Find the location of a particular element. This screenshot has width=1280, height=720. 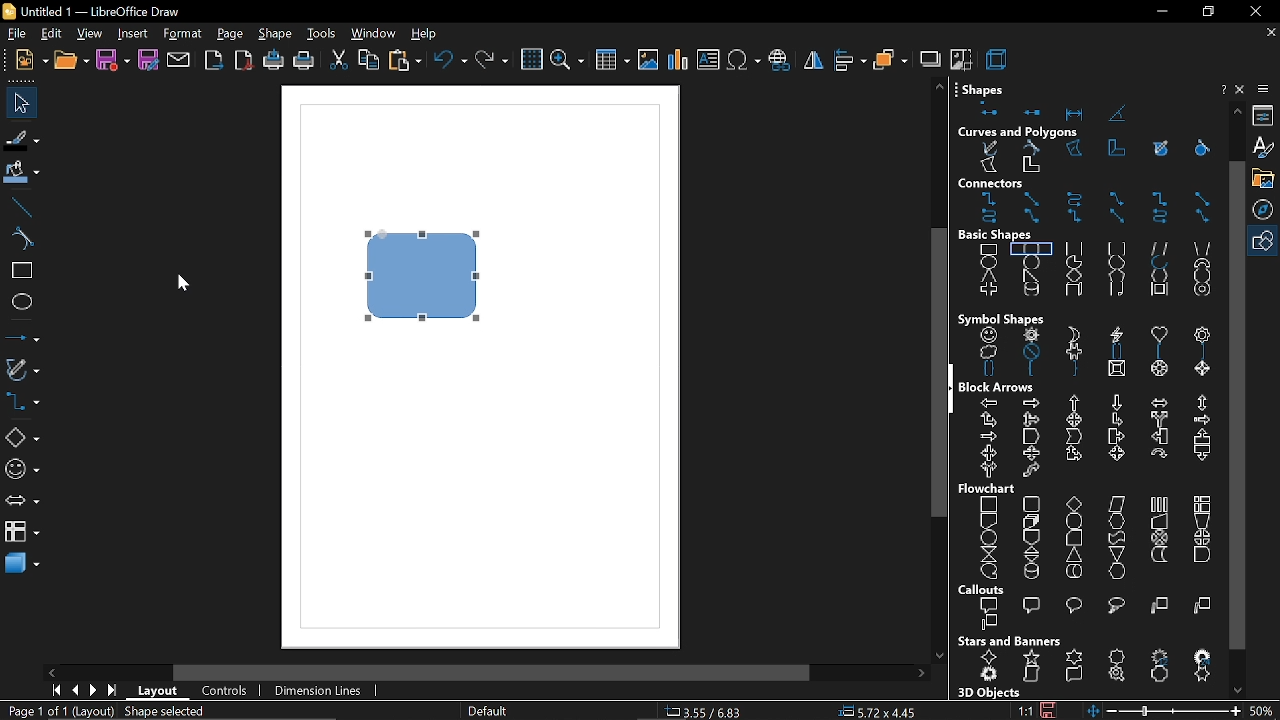

insert is located at coordinates (132, 35).